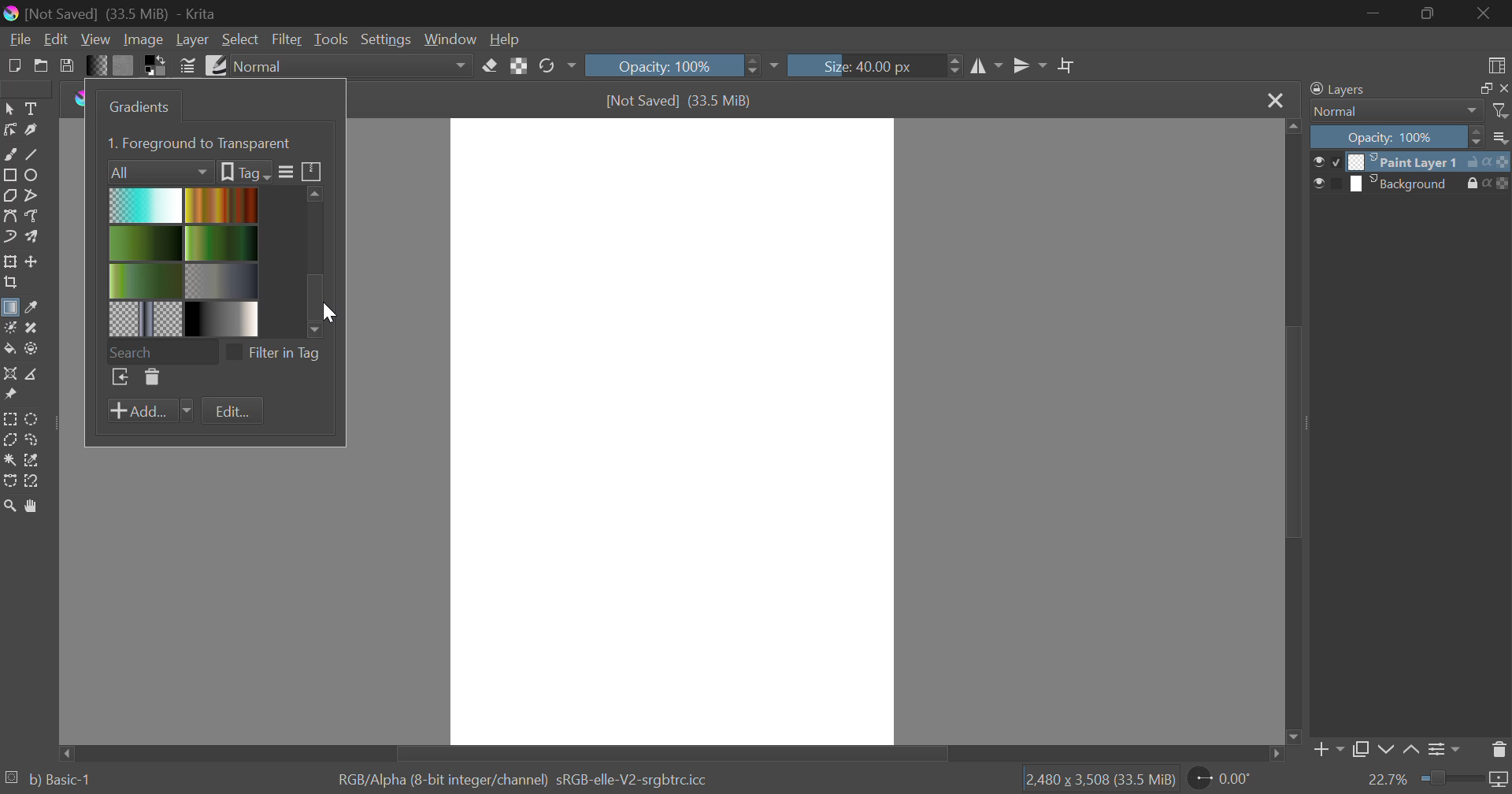 Image resolution: width=1512 pixels, height=794 pixels. What do you see at coordinates (31, 481) in the screenshot?
I see `Magnetic Selection` at bounding box center [31, 481].